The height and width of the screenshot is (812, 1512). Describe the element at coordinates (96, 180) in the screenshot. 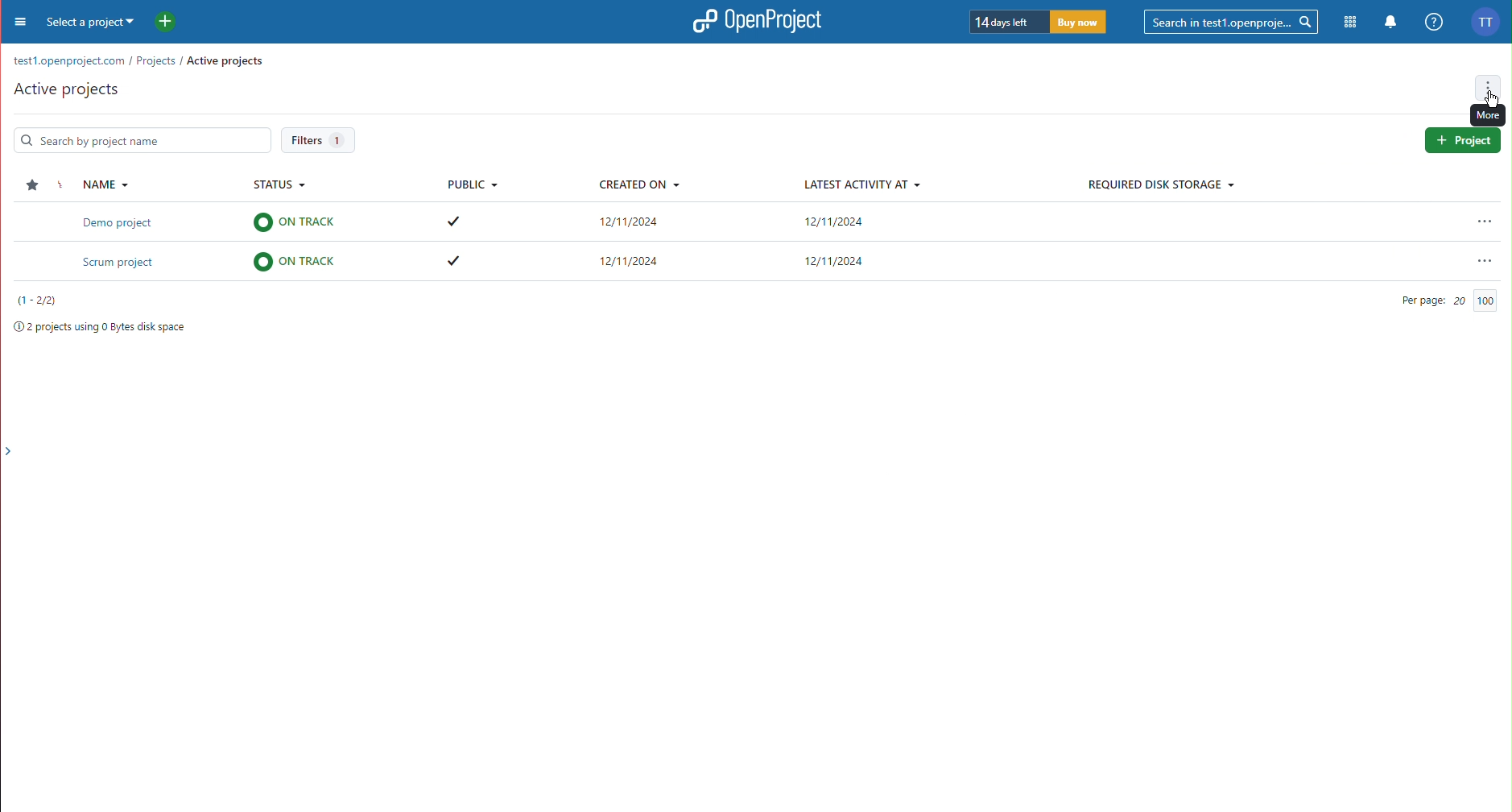

I see `Name` at that location.